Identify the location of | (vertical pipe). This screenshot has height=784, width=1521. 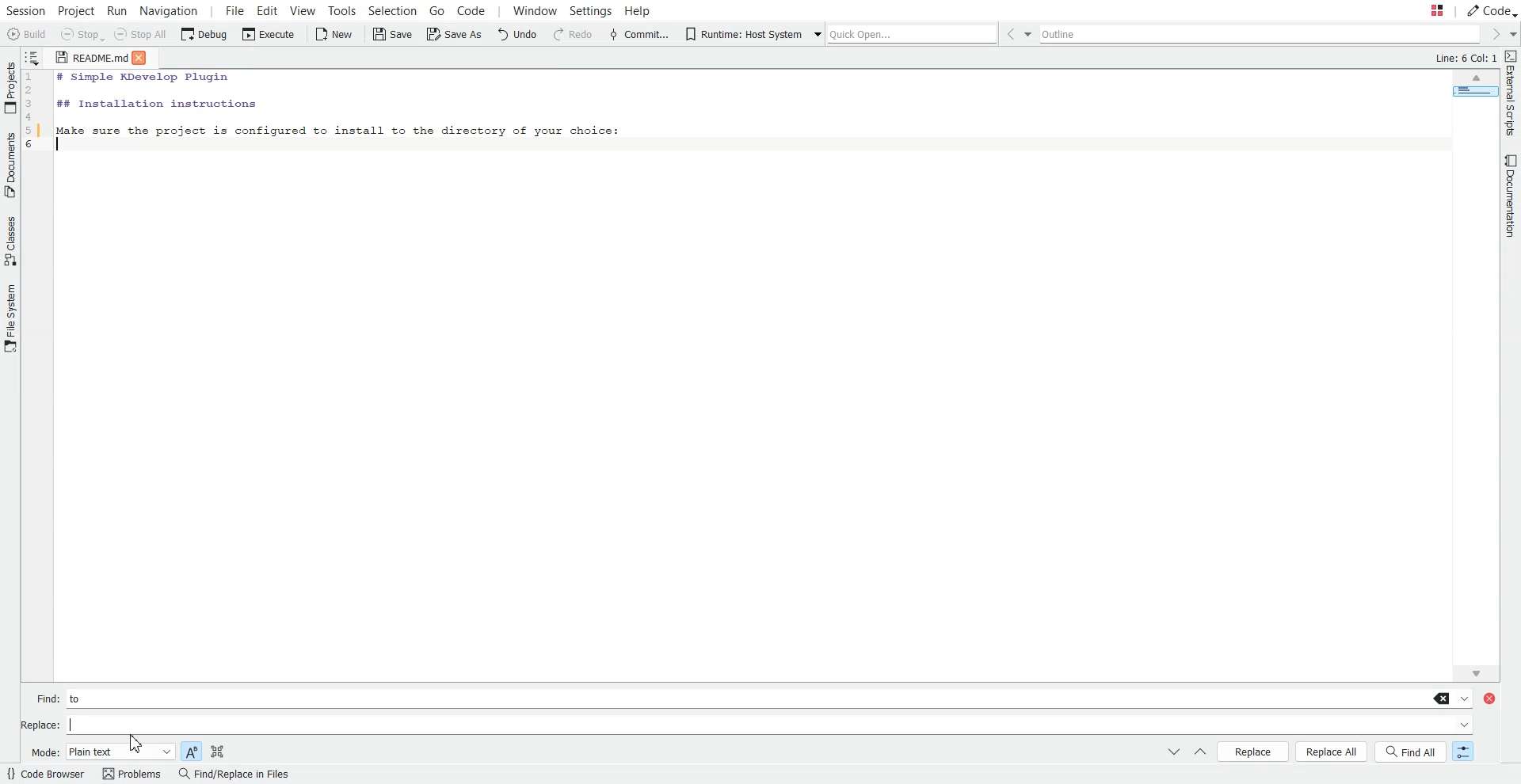
(81, 725).